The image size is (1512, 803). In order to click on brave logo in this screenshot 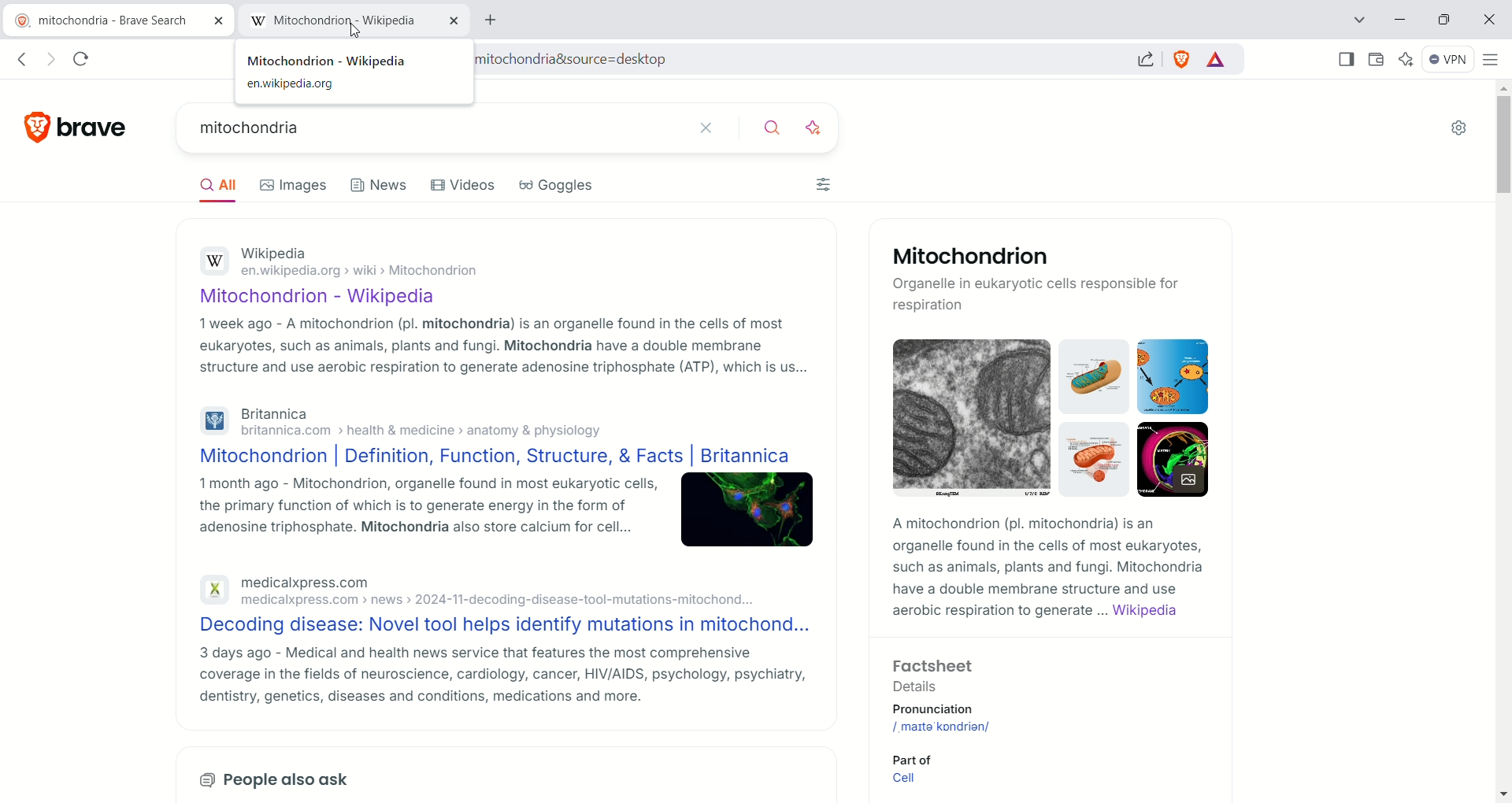, I will do `click(27, 128)`.